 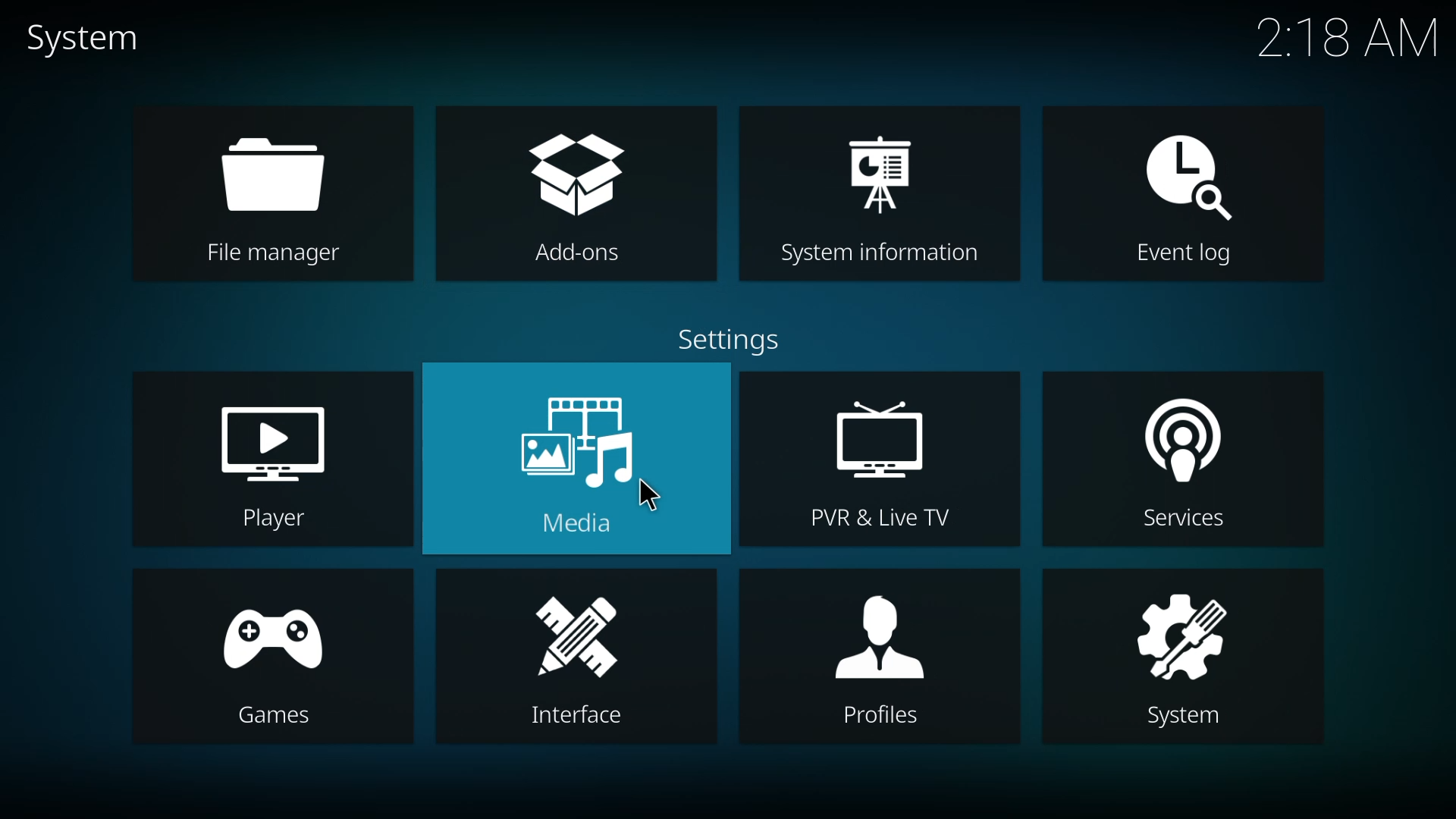 I want to click on file manager, so click(x=271, y=193).